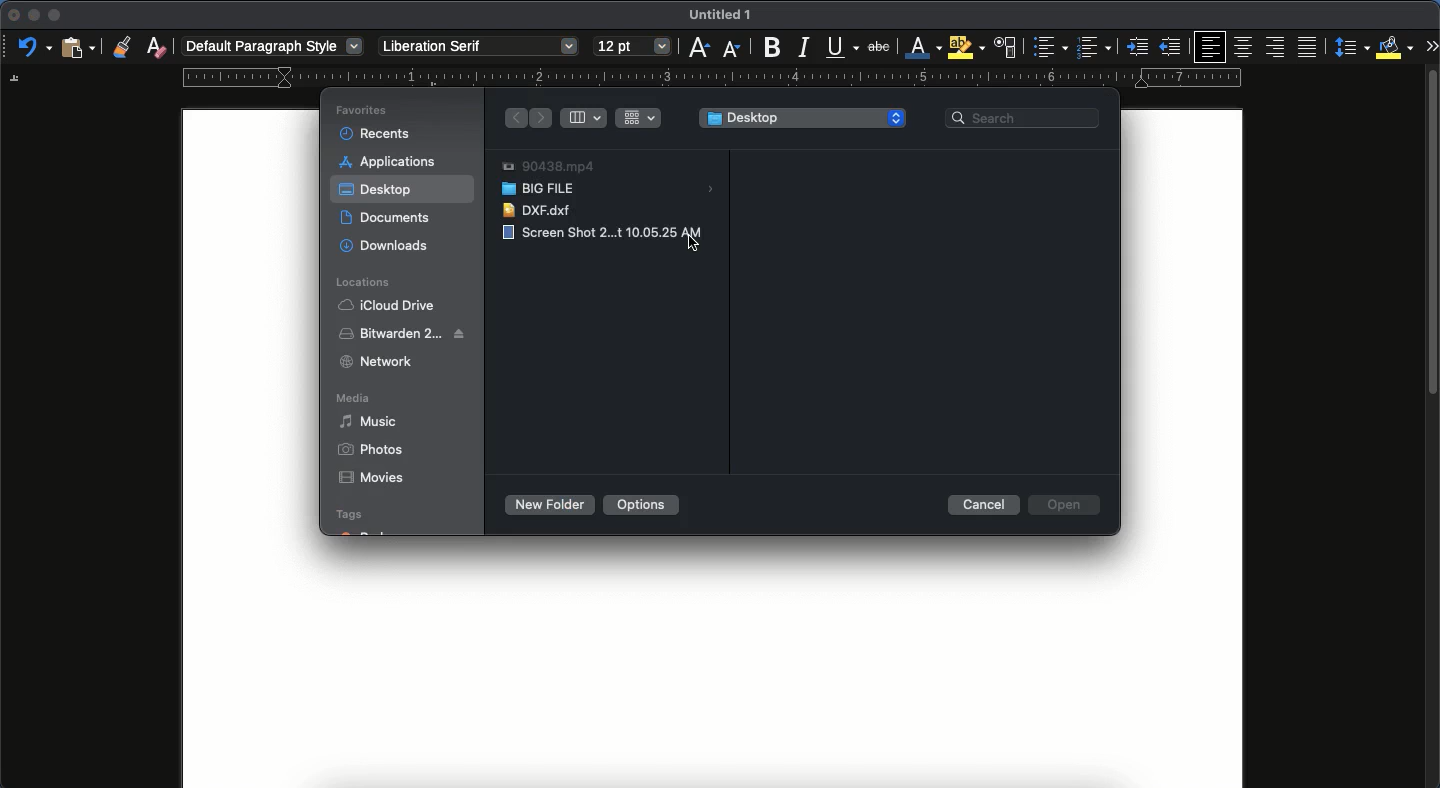  I want to click on column , so click(586, 117).